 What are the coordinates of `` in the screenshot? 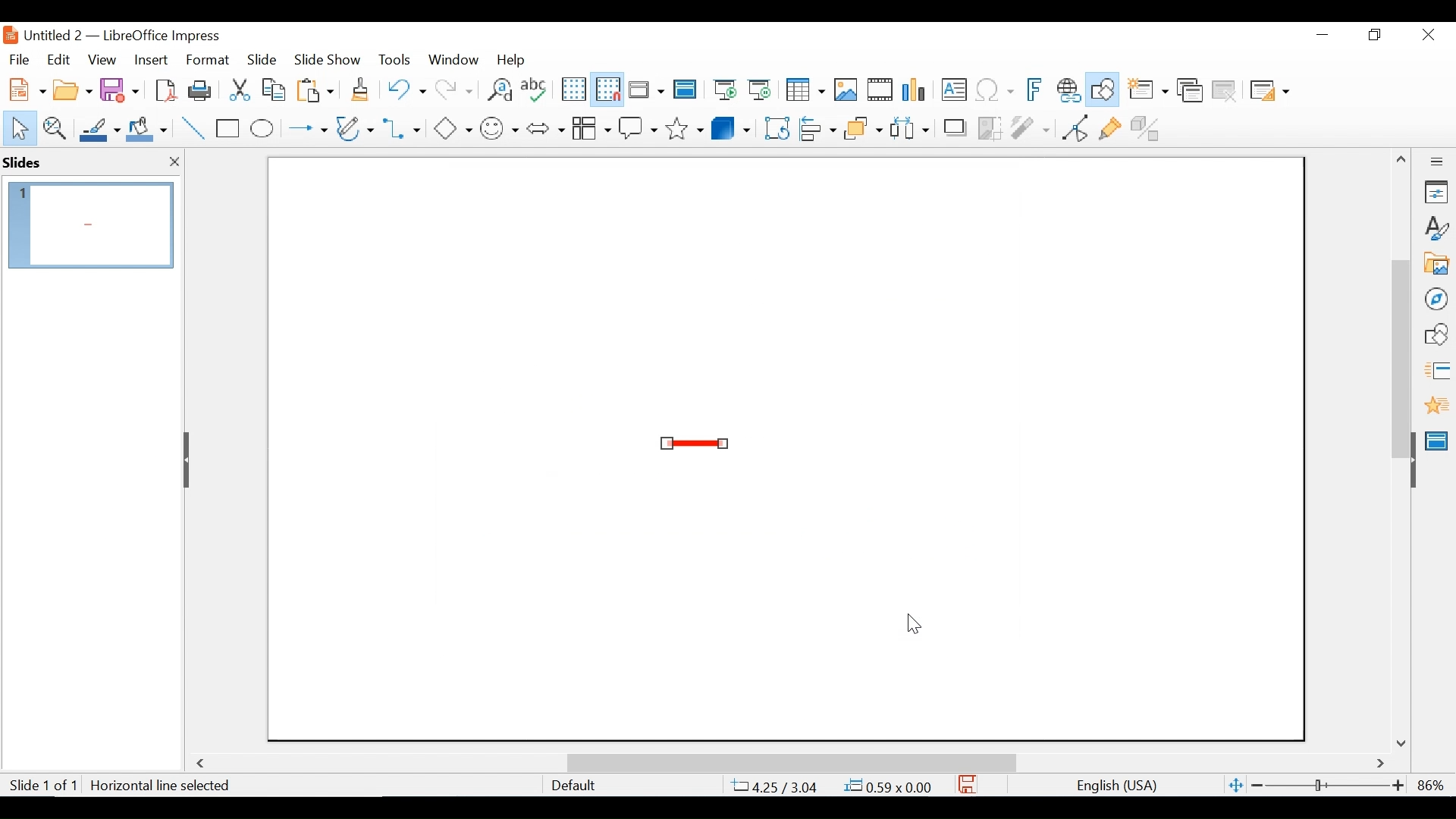 It's located at (591, 127).